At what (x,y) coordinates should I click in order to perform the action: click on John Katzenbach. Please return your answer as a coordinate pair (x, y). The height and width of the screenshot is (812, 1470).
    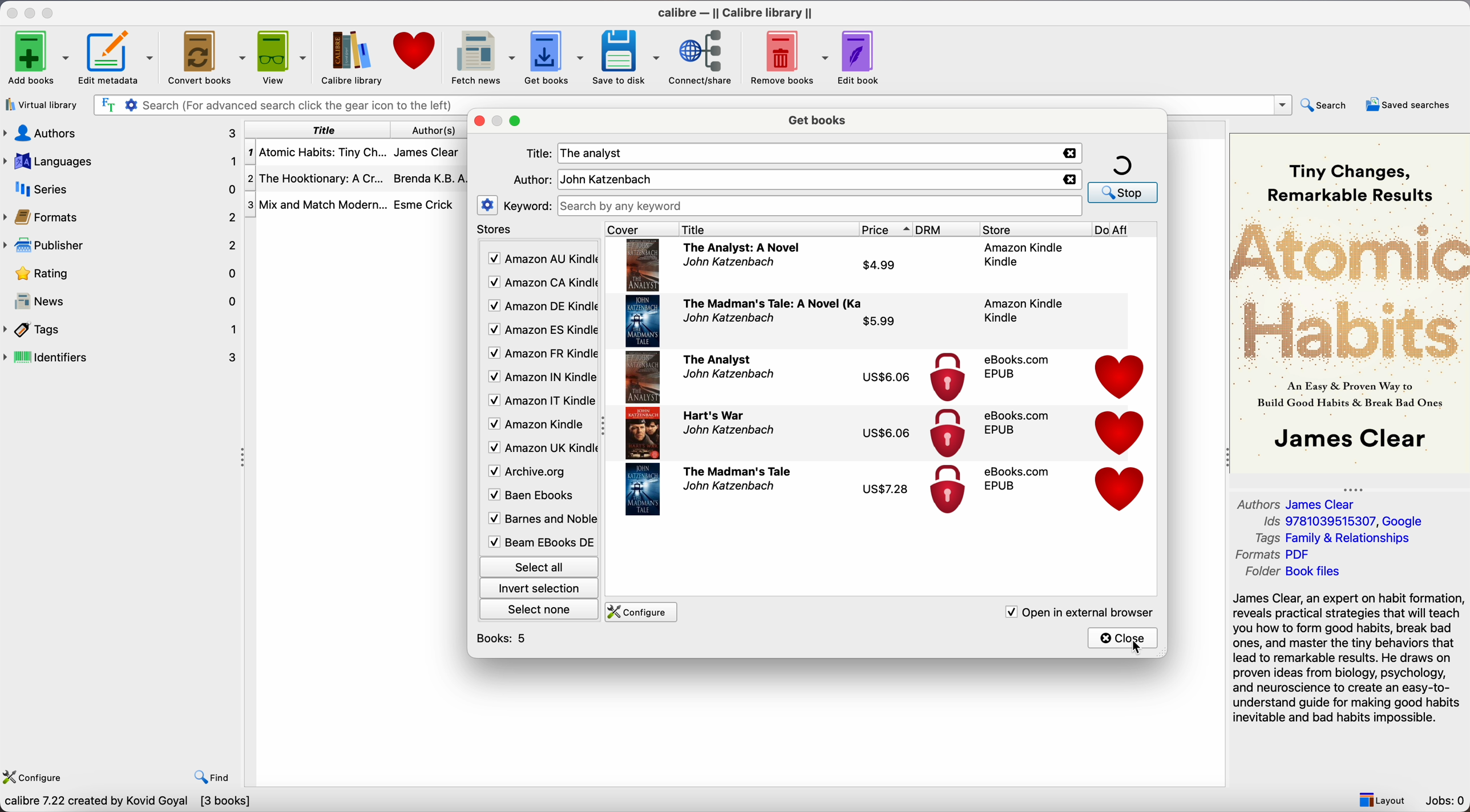
    Looking at the image, I should click on (729, 486).